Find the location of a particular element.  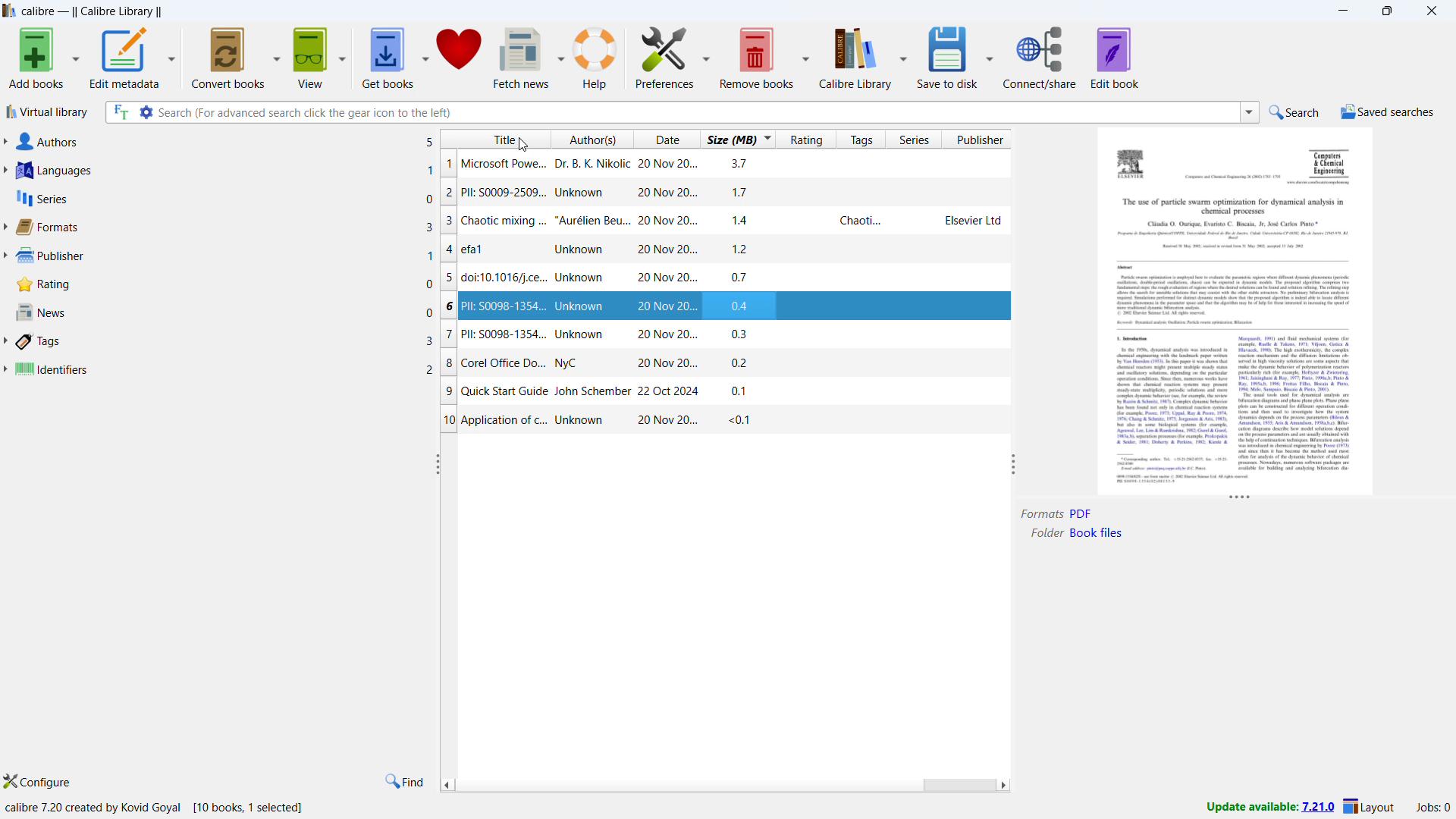

fetch news is located at coordinates (520, 56).